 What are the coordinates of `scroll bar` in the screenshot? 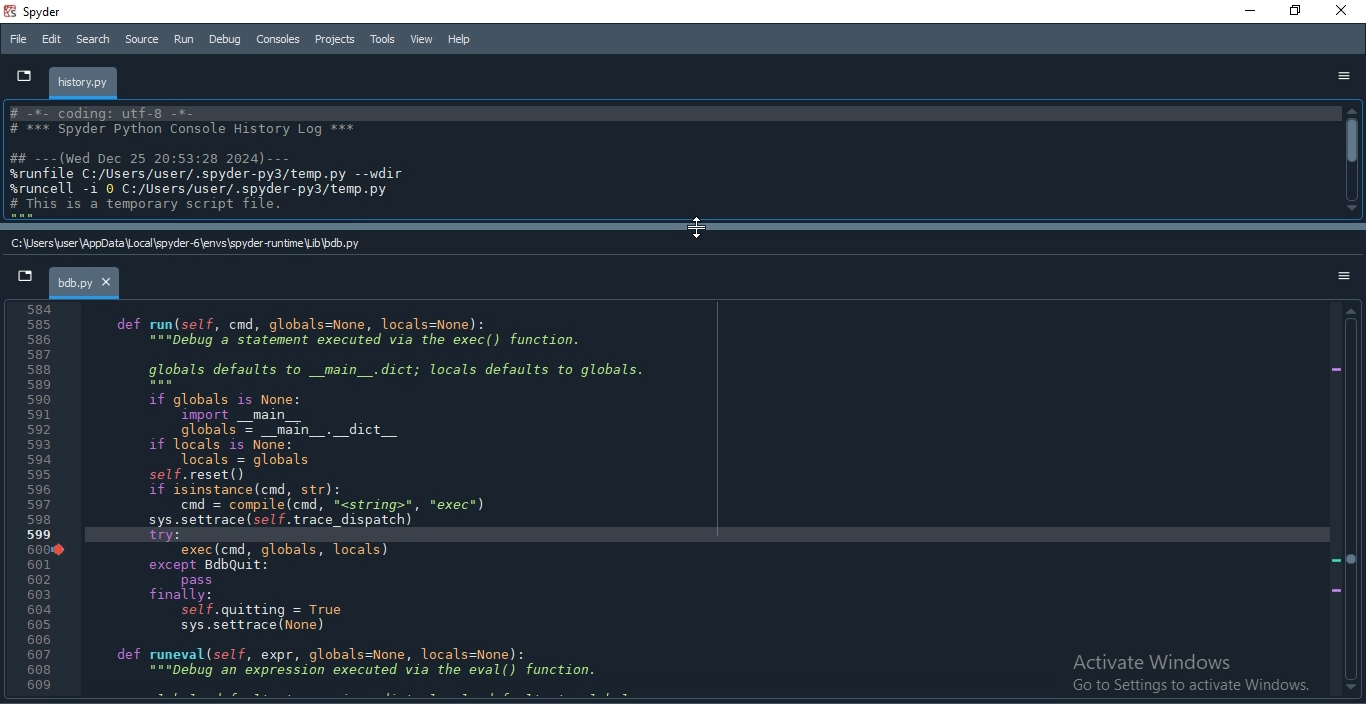 It's located at (683, 224).